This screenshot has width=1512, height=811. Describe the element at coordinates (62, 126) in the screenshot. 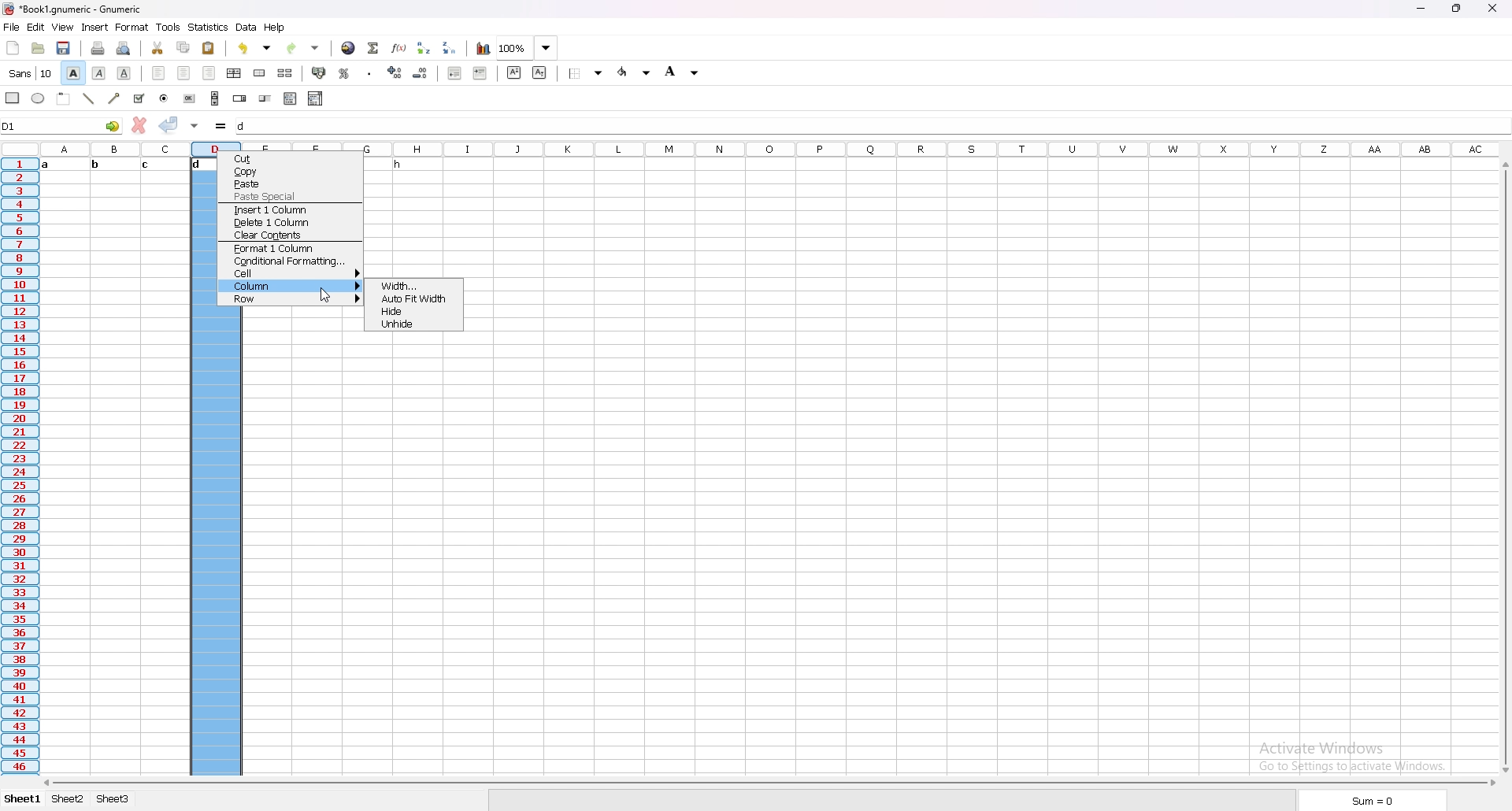

I see `selected cell` at that location.